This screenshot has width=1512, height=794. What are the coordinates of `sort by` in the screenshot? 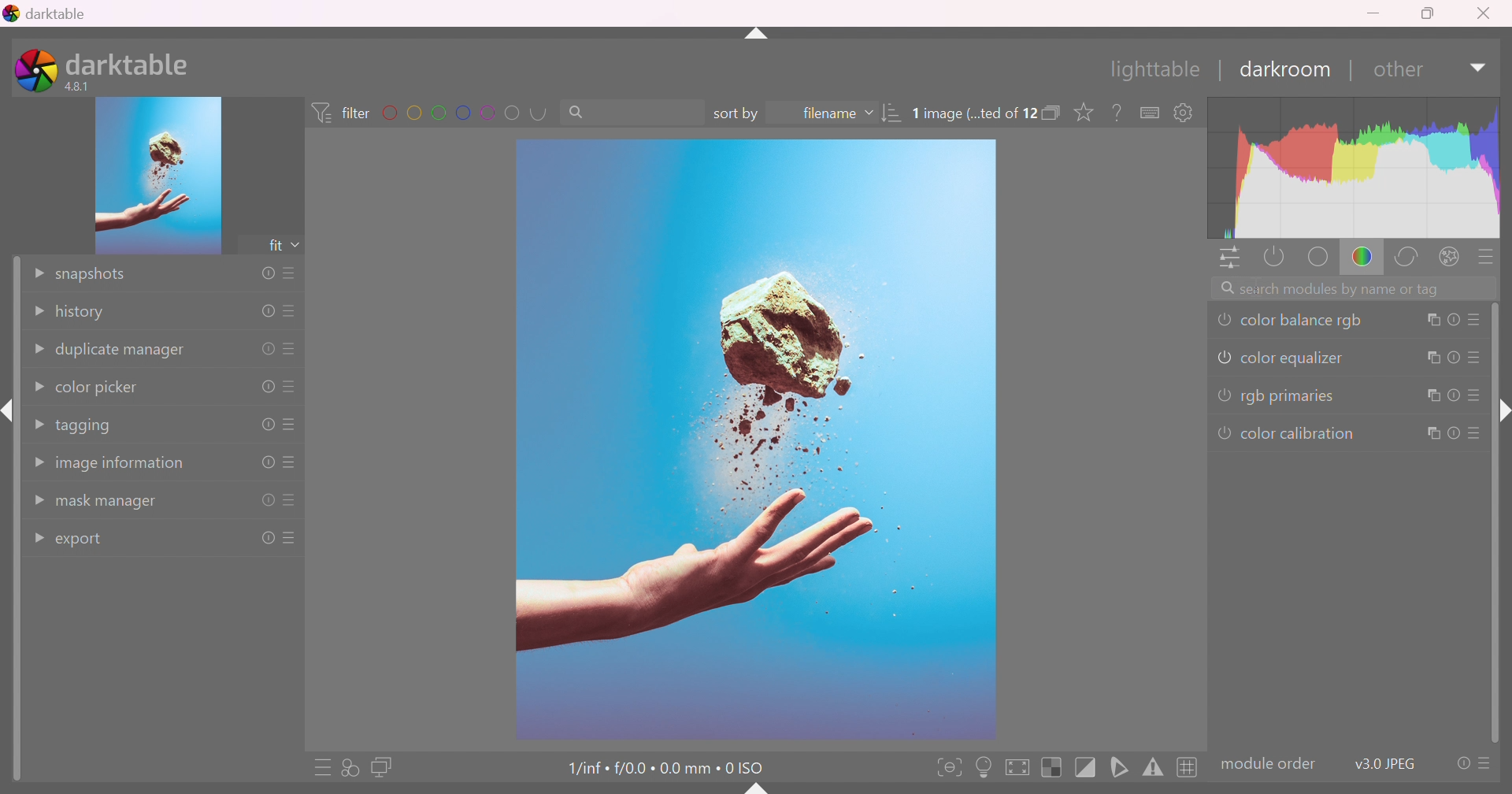 It's located at (736, 114).